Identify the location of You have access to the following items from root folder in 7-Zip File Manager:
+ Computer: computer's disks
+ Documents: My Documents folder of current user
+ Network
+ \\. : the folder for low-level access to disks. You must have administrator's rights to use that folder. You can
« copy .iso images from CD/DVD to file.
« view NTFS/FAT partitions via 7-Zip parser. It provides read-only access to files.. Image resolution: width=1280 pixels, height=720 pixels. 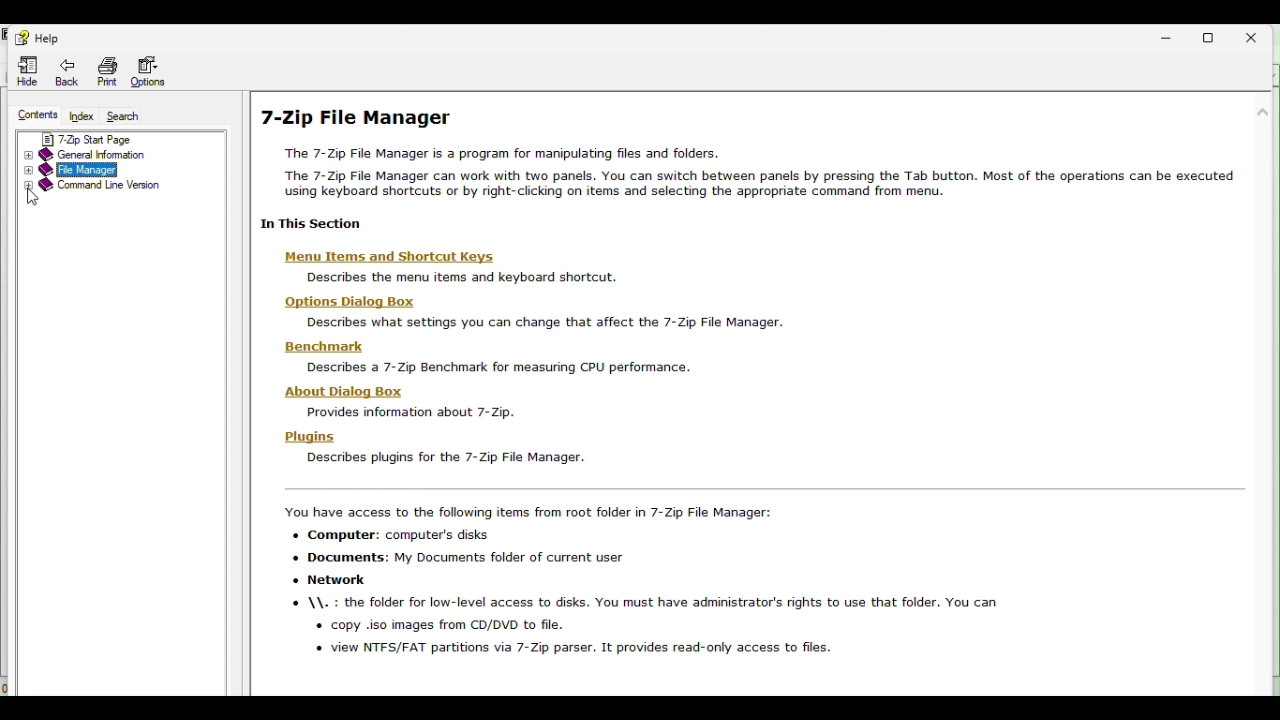
(689, 587).